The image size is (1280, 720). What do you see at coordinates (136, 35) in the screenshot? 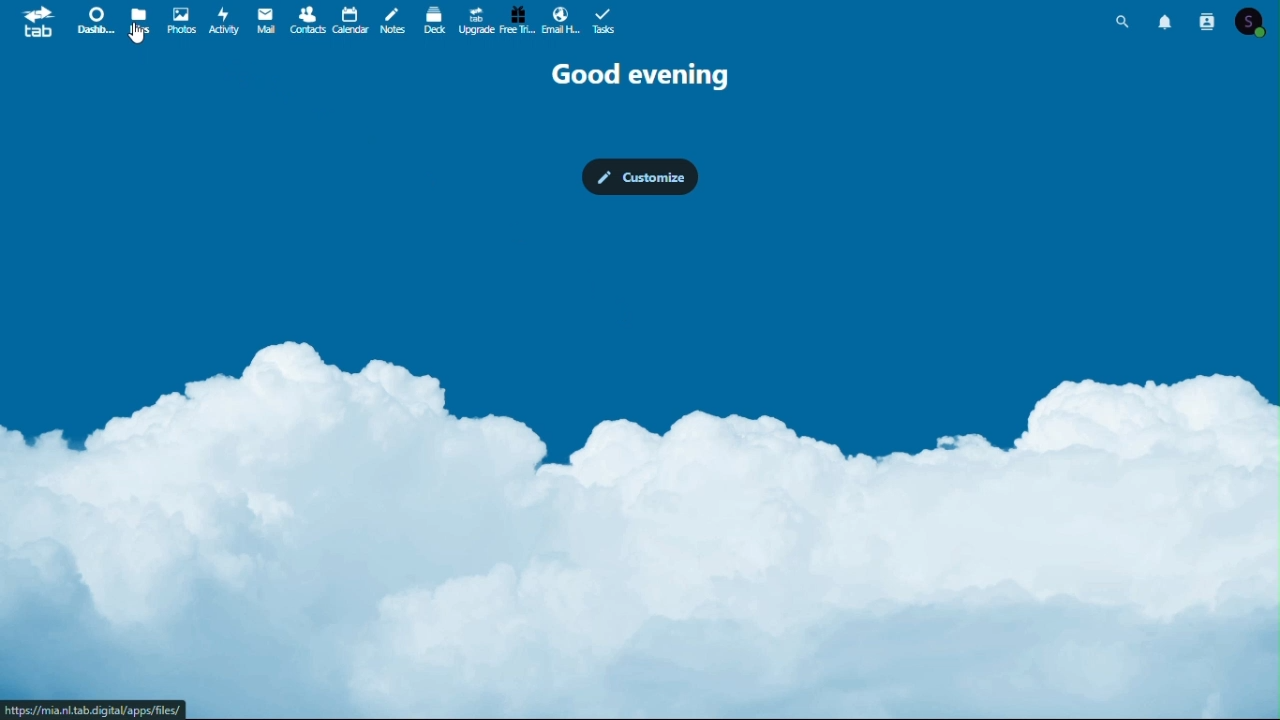
I see `cursor` at bounding box center [136, 35].